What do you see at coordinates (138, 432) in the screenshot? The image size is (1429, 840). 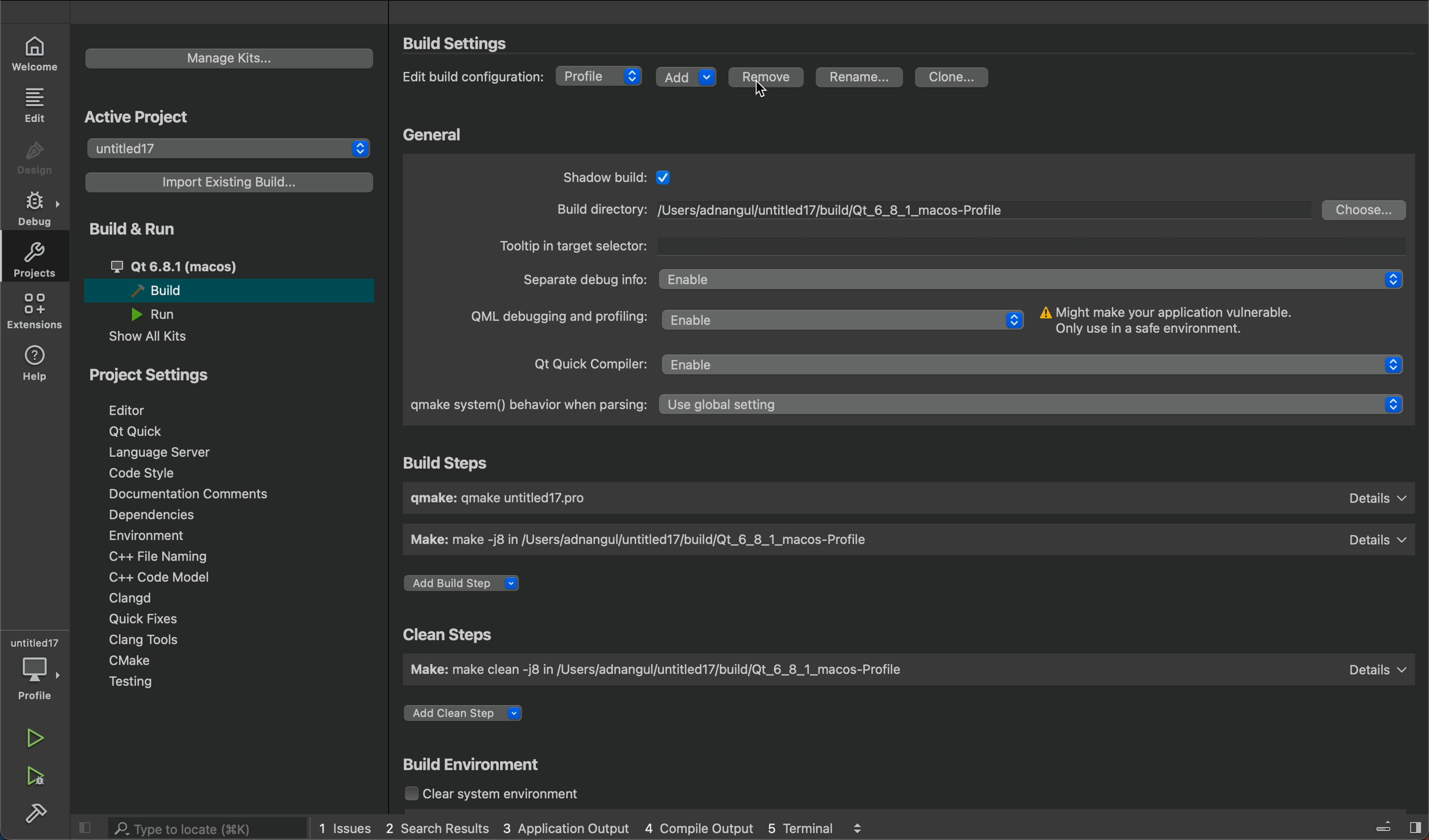 I see `qt quick` at bounding box center [138, 432].